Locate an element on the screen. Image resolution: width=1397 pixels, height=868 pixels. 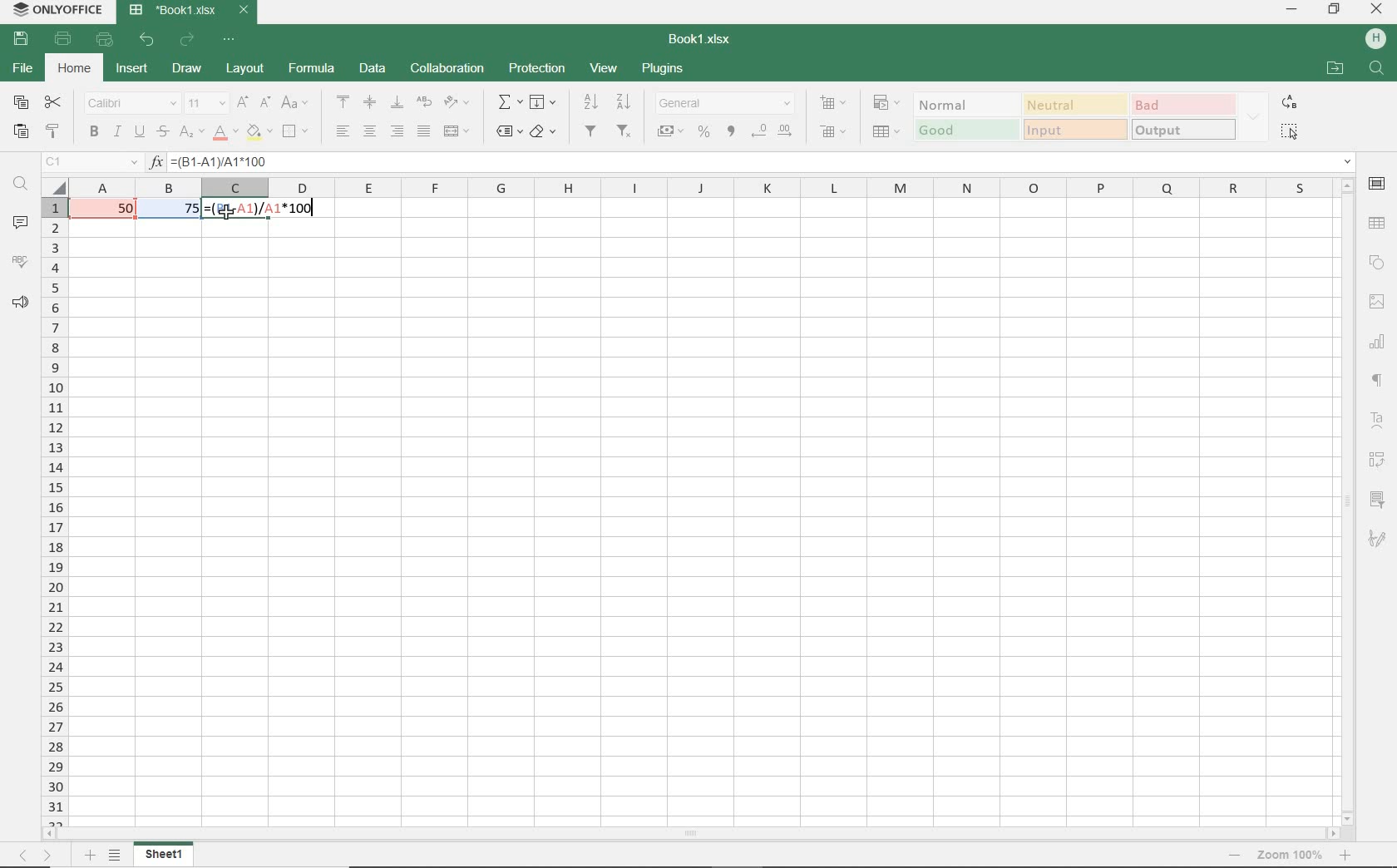
add filter is located at coordinates (591, 133).